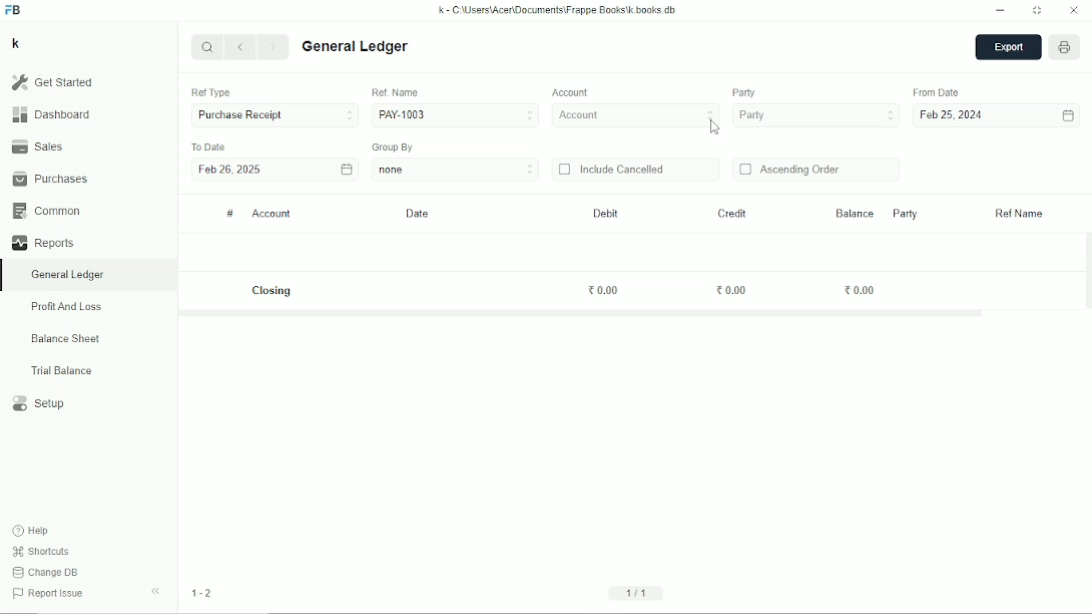 The width and height of the screenshot is (1092, 614). What do you see at coordinates (1068, 116) in the screenshot?
I see `Calendar` at bounding box center [1068, 116].